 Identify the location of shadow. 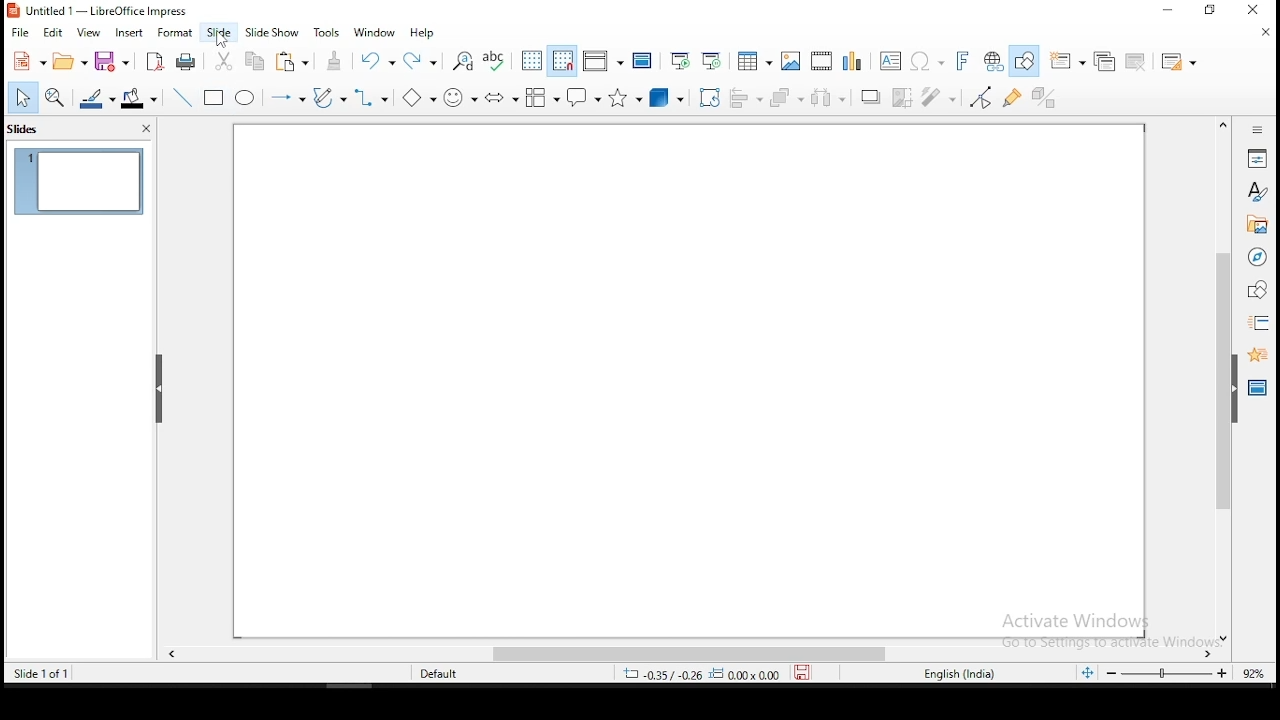
(869, 96).